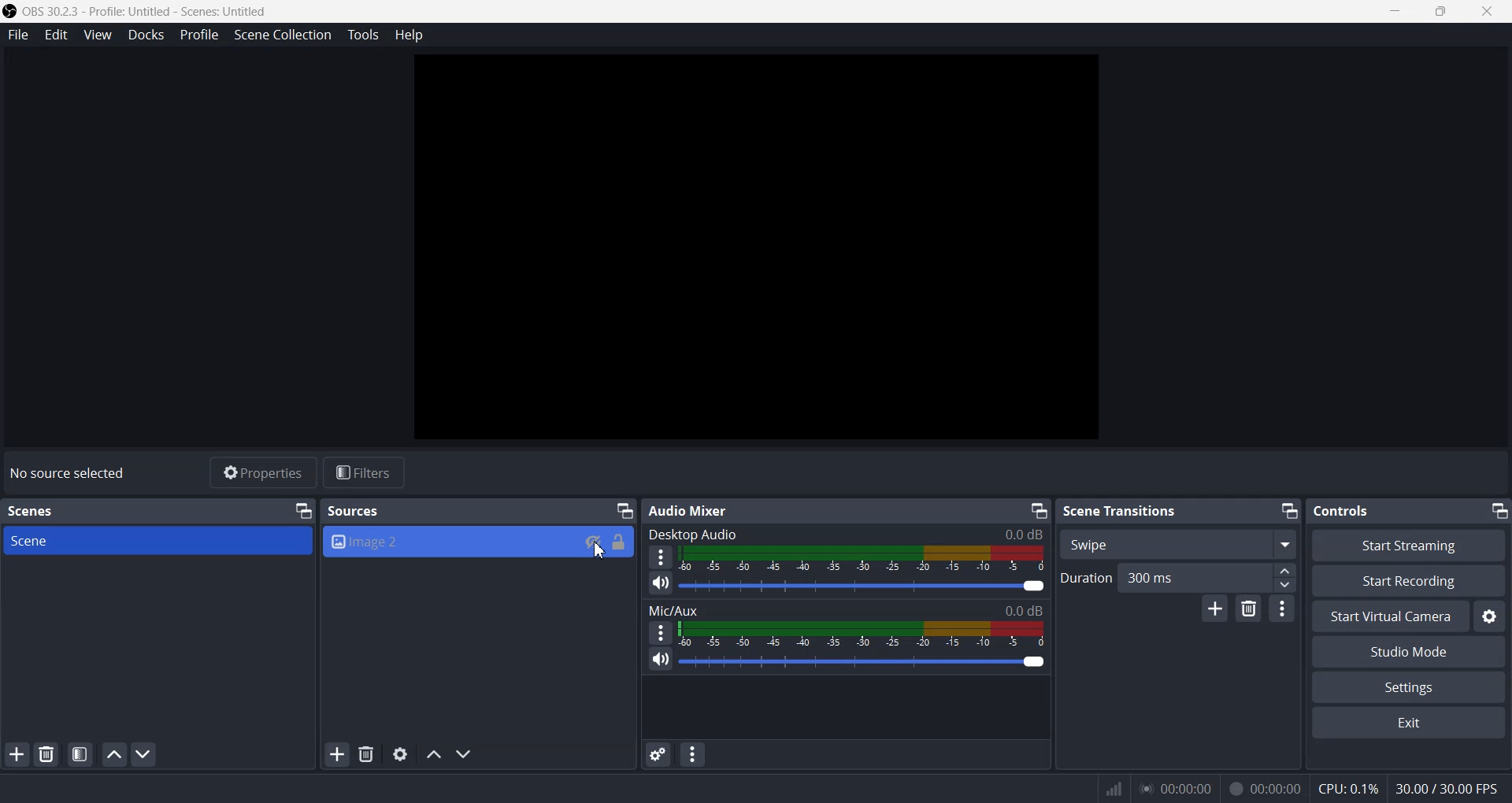 This screenshot has width=1512, height=803. What do you see at coordinates (156, 540) in the screenshot?
I see `Scene` at bounding box center [156, 540].